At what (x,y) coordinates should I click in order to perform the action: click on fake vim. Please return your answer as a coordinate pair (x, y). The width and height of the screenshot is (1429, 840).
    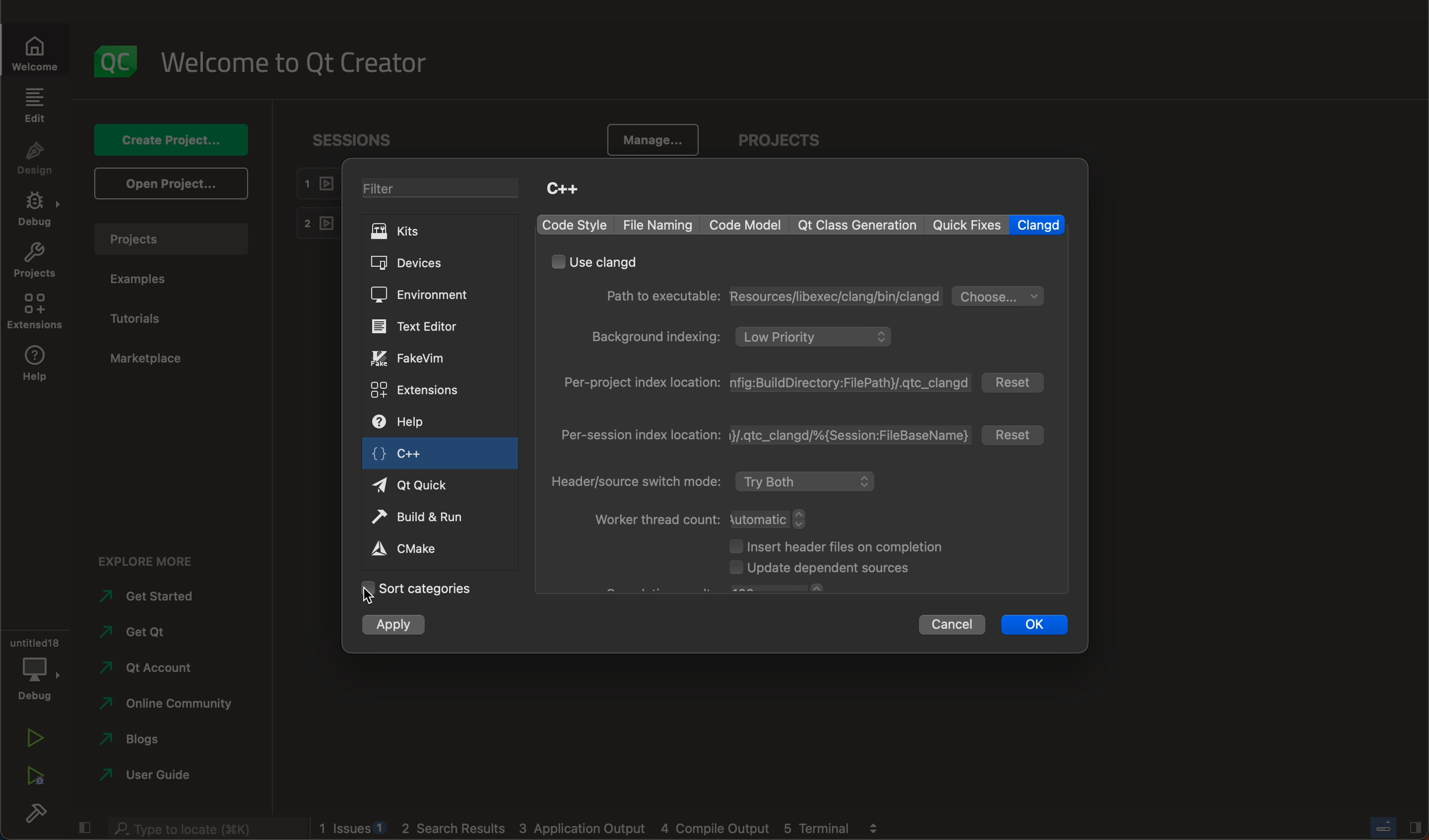
    Looking at the image, I should click on (426, 357).